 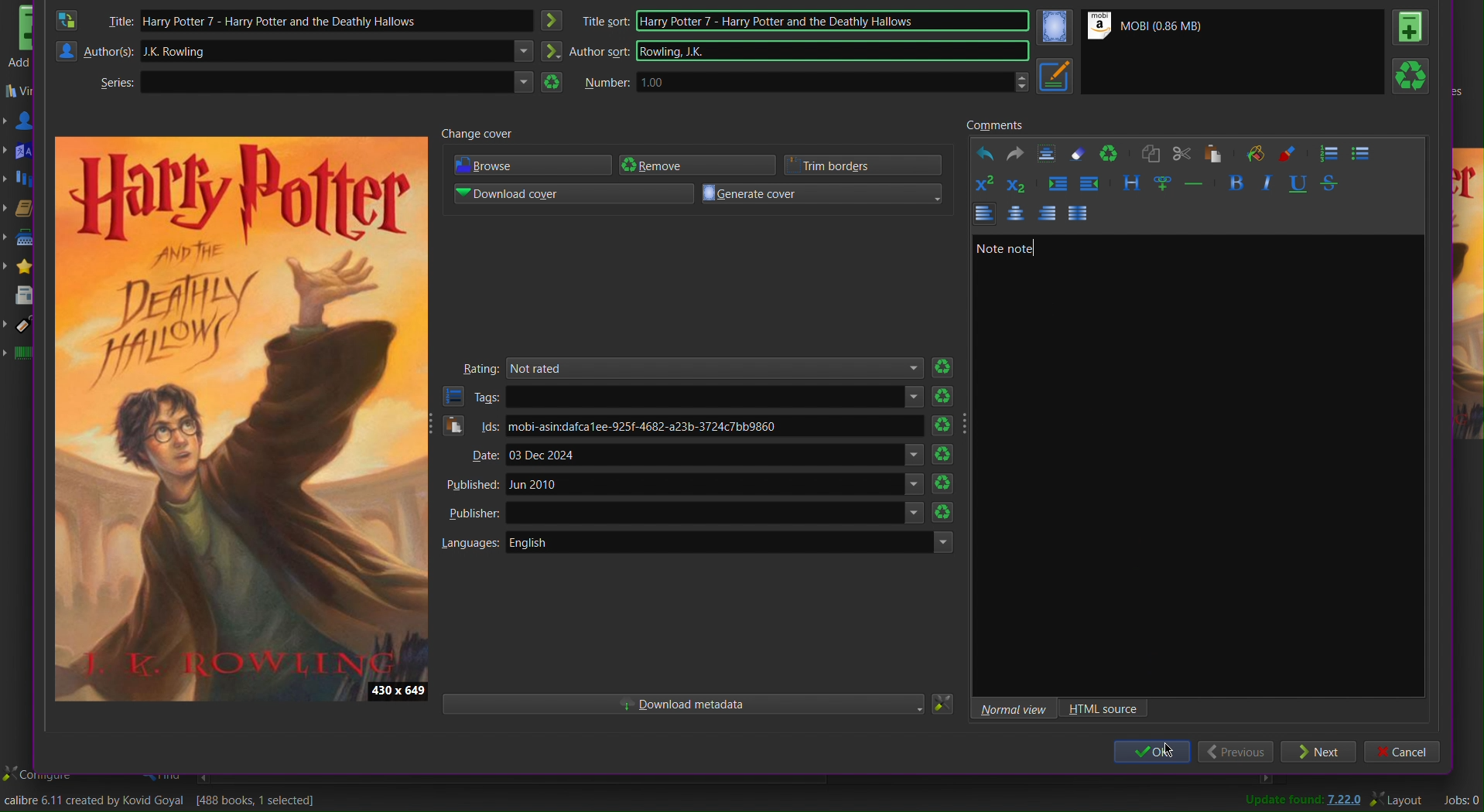 I want to click on Number , so click(x=607, y=84).